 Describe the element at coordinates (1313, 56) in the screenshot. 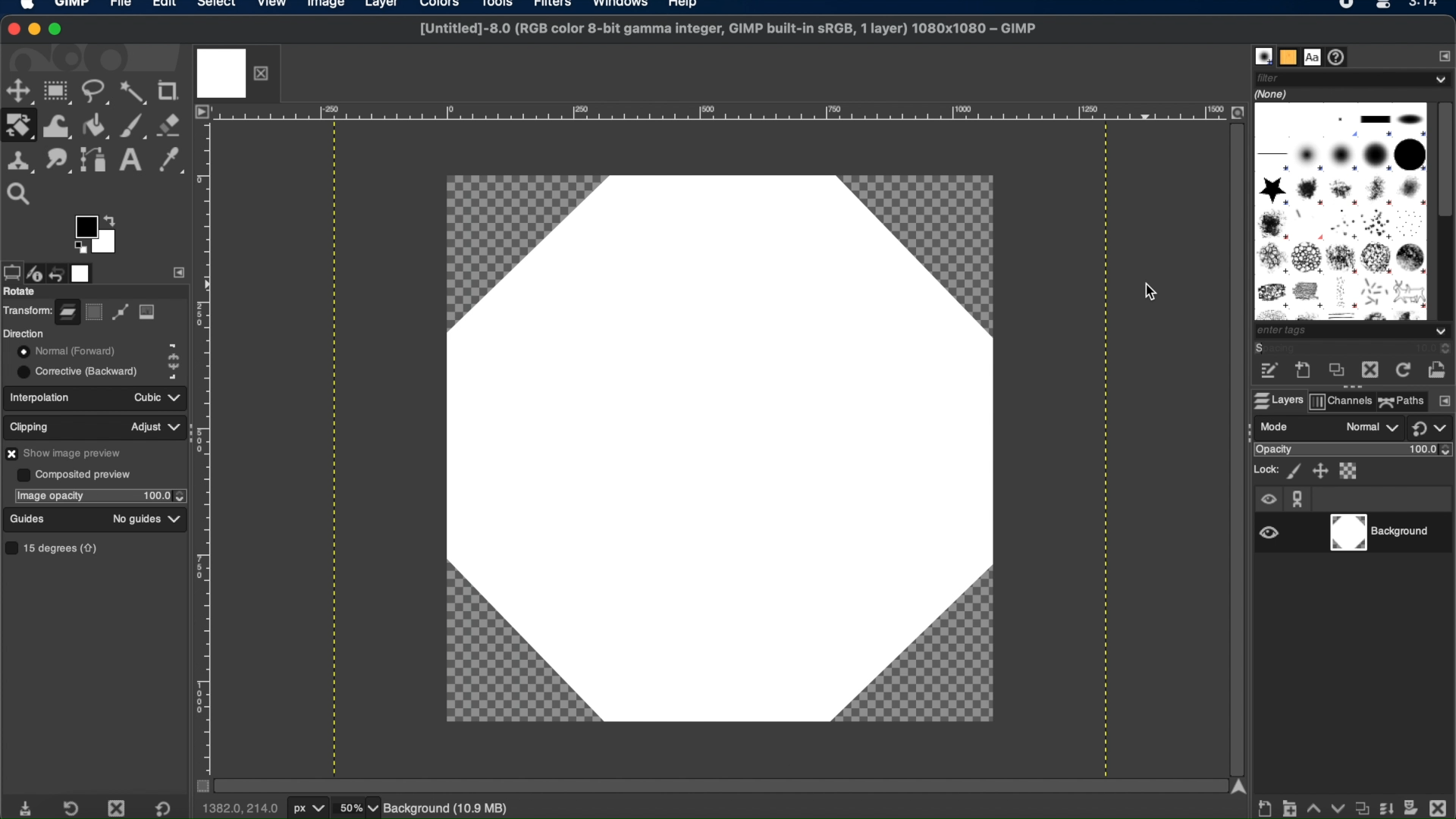

I see `fonts` at that location.